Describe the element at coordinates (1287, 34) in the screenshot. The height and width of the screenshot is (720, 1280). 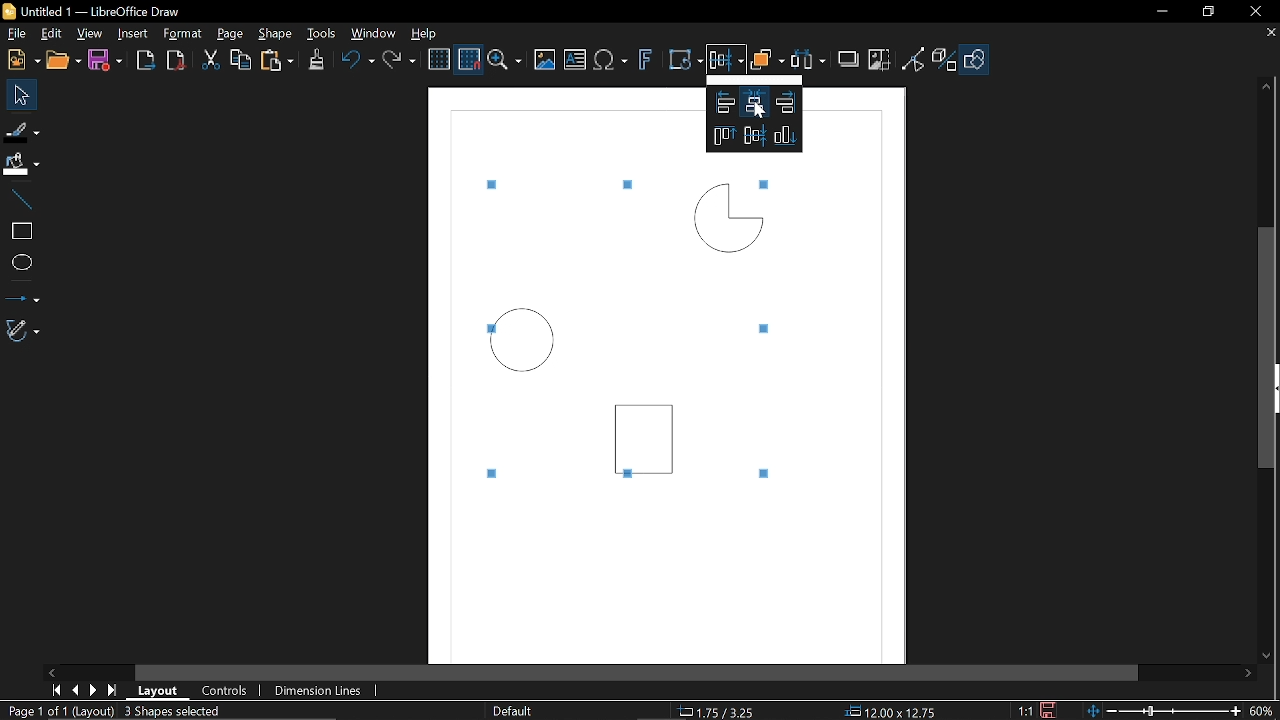
I see `Close tab` at that location.